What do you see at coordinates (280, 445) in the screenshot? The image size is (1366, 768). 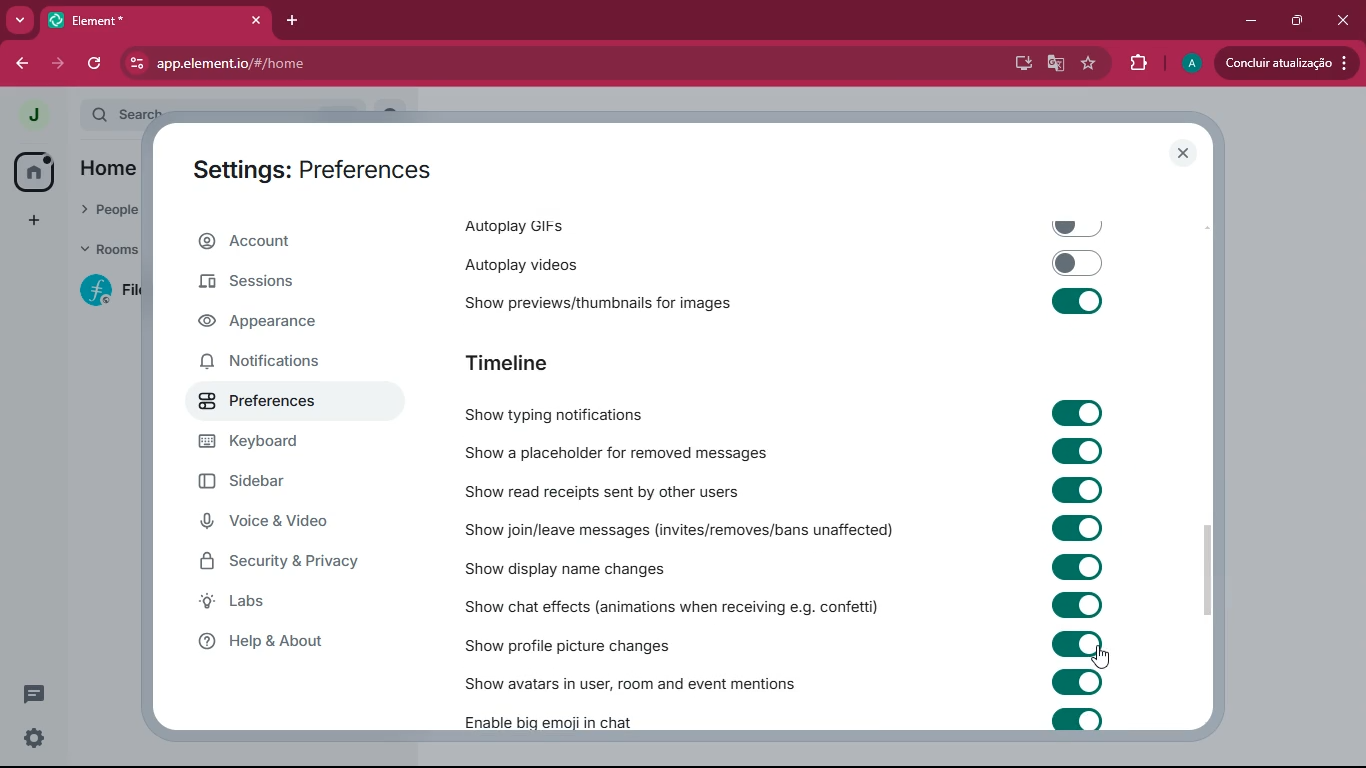 I see `keyboard` at bounding box center [280, 445].